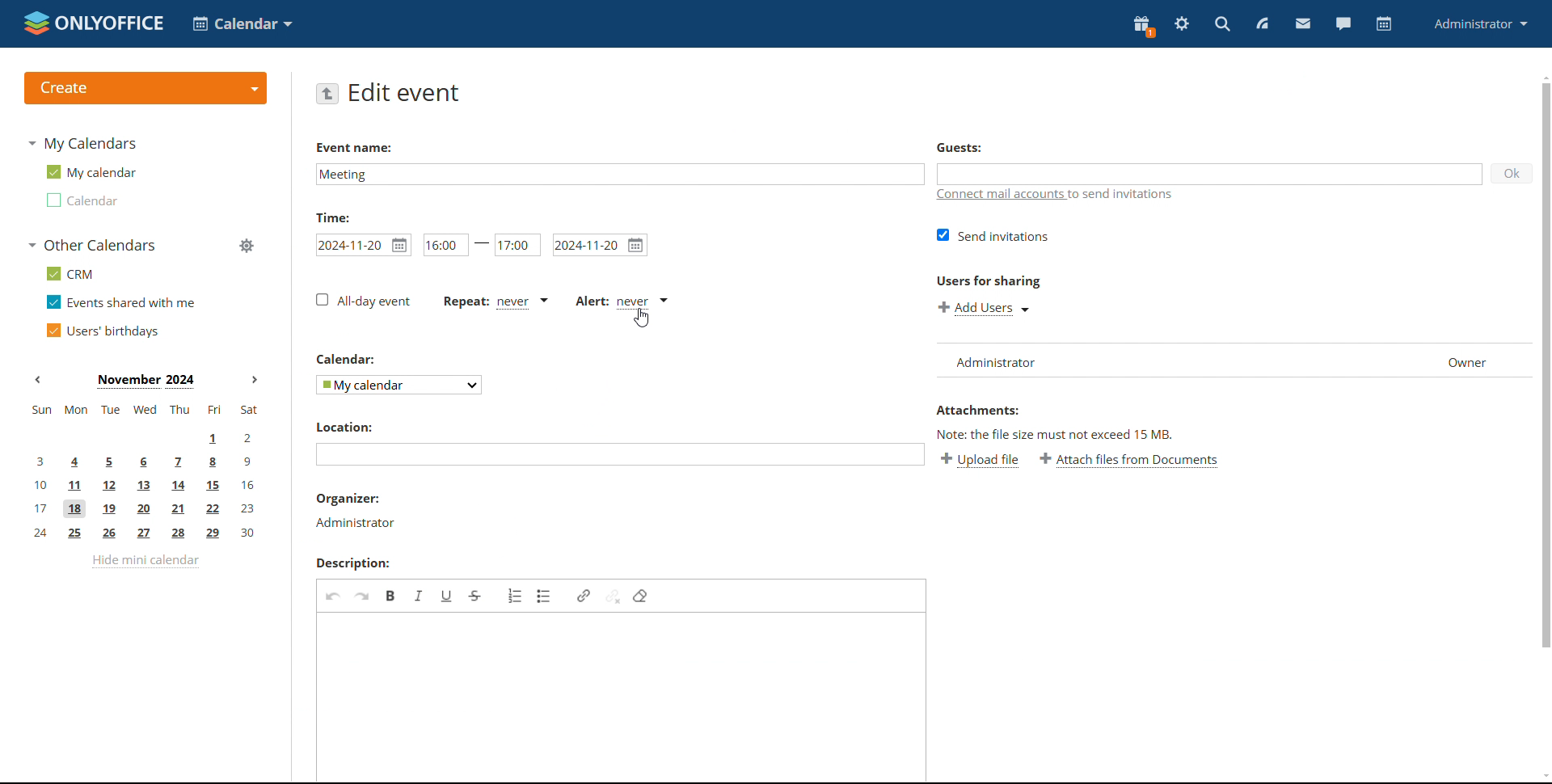 This screenshot has height=784, width=1552. I want to click on unlink, so click(614, 596).